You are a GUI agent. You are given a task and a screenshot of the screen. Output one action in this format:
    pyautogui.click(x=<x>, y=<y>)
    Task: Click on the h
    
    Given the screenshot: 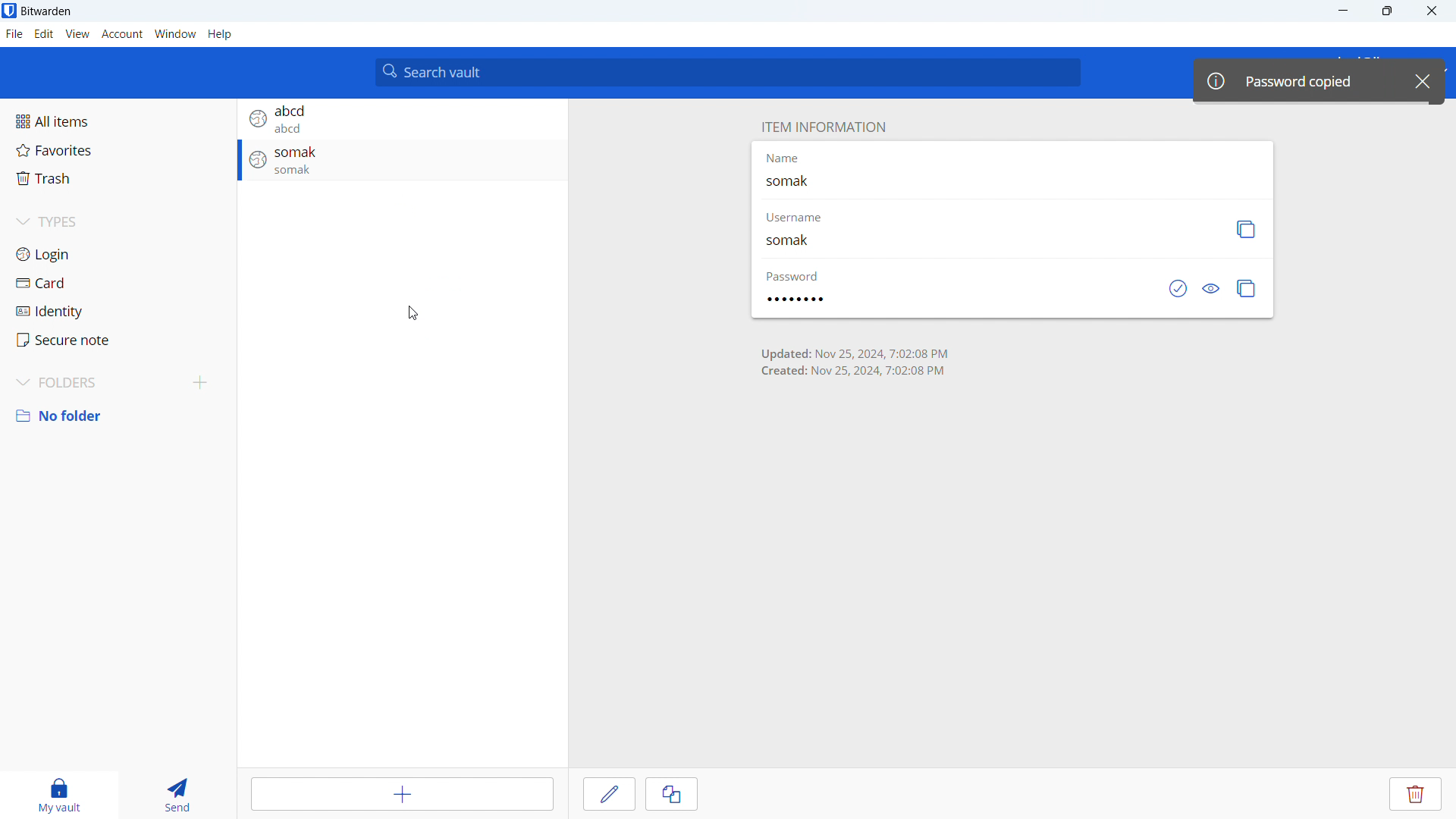 What is the action you would take?
    pyautogui.click(x=220, y=34)
    